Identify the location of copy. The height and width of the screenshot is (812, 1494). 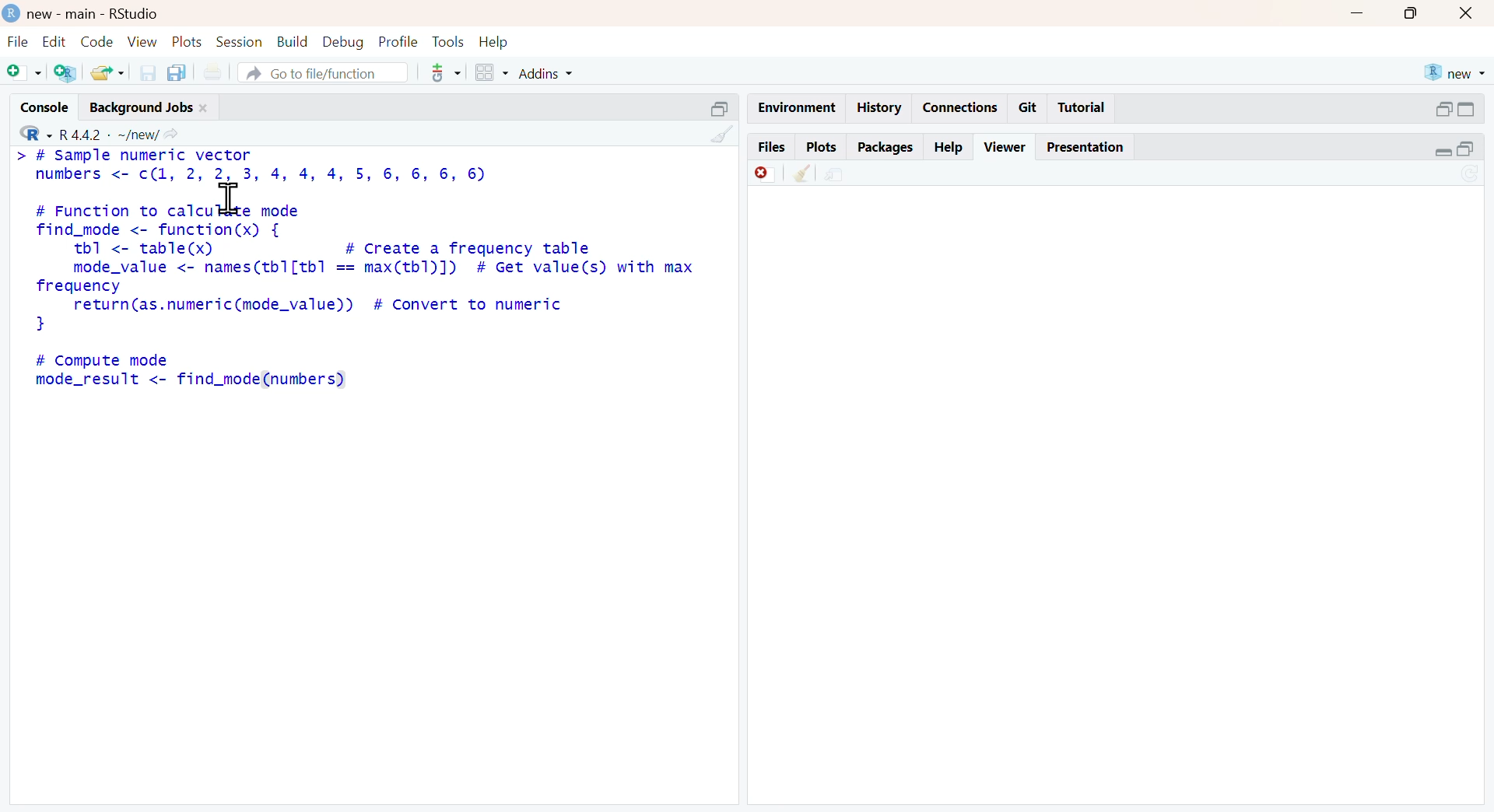
(177, 72).